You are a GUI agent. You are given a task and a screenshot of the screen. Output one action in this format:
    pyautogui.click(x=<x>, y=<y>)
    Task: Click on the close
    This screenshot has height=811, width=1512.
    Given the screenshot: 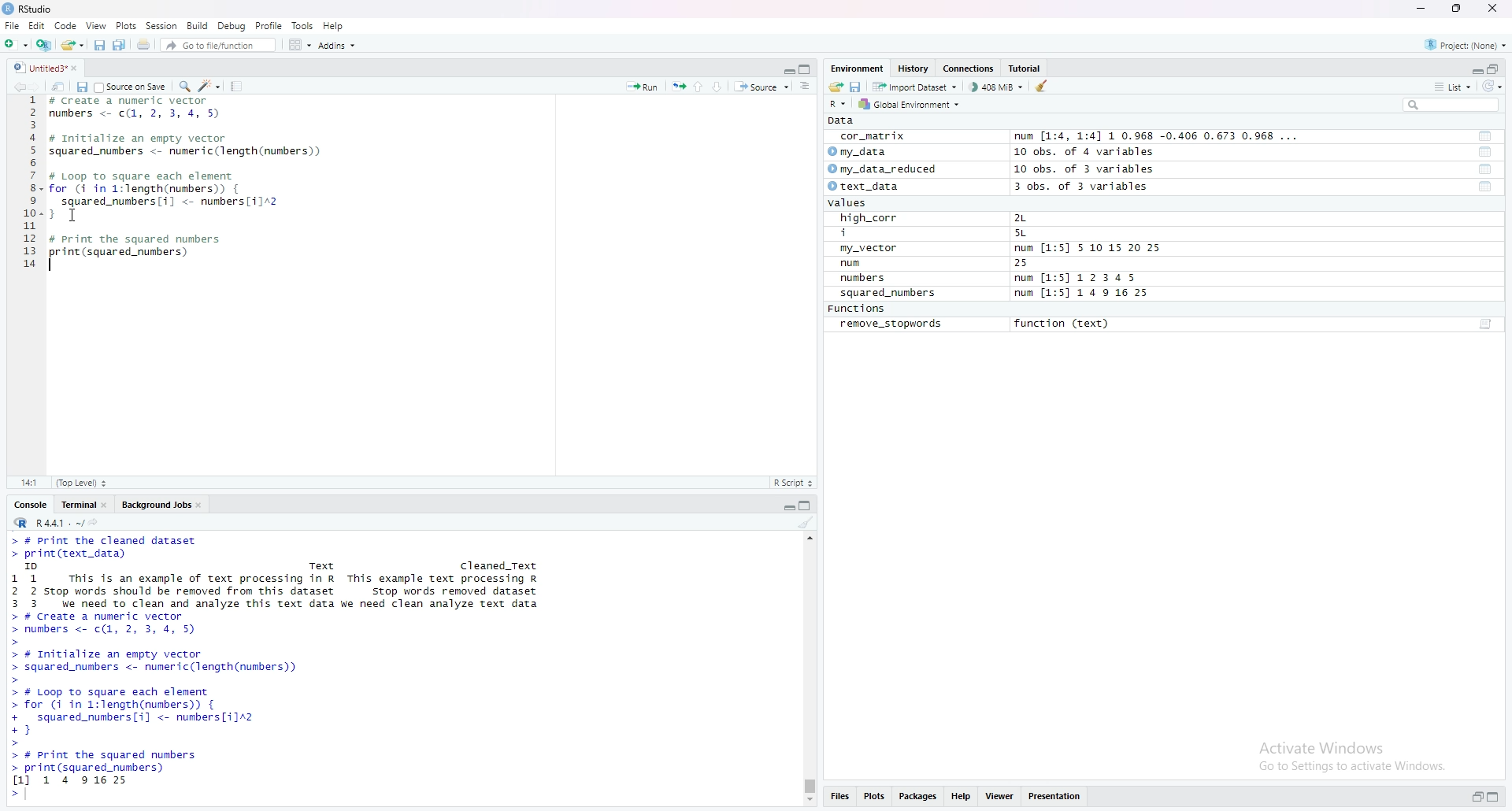 What is the action you would take?
    pyautogui.click(x=1495, y=9)
    